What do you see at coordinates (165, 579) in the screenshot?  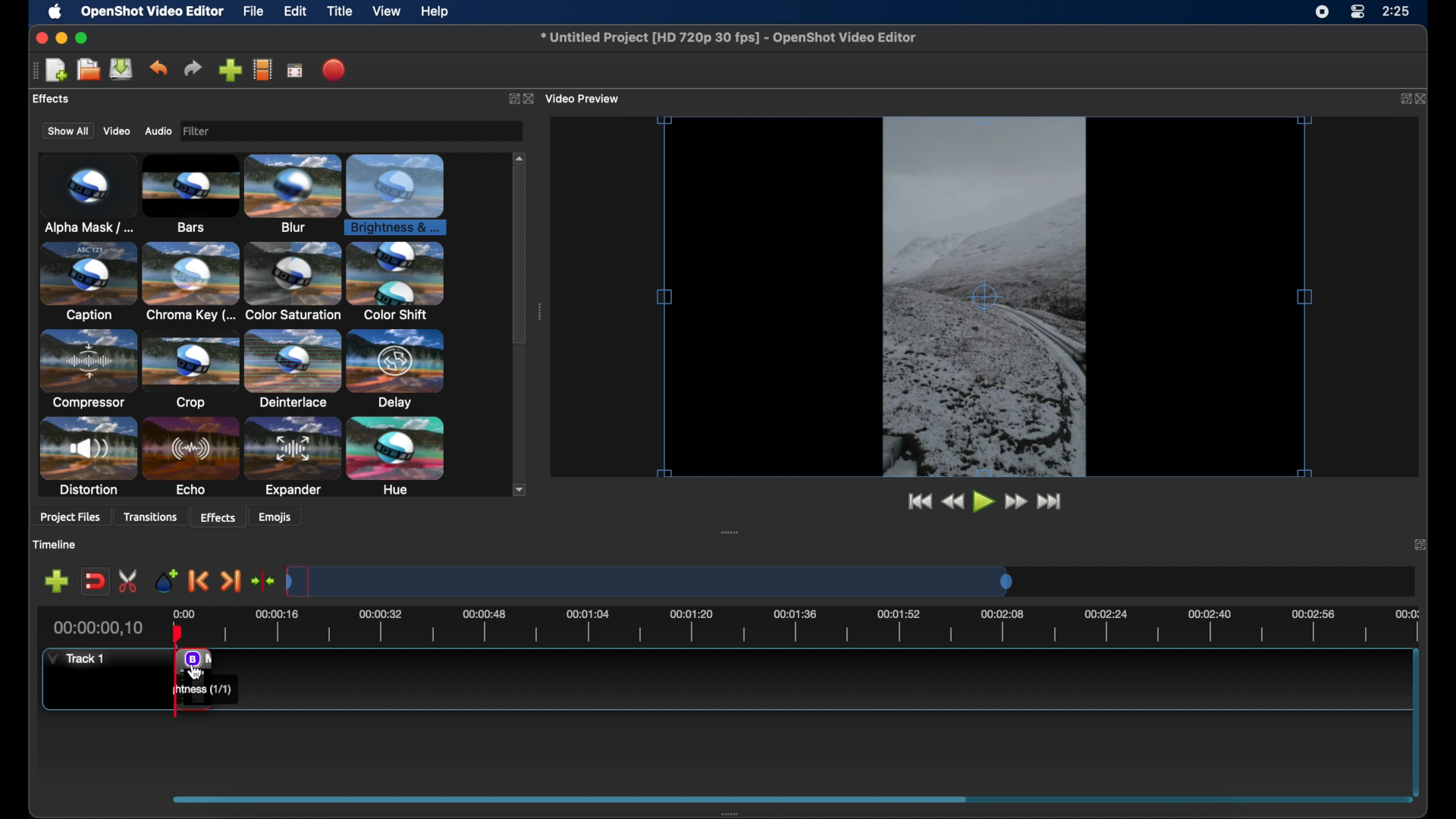 I see `add marker` at bounding box center [165, 579].